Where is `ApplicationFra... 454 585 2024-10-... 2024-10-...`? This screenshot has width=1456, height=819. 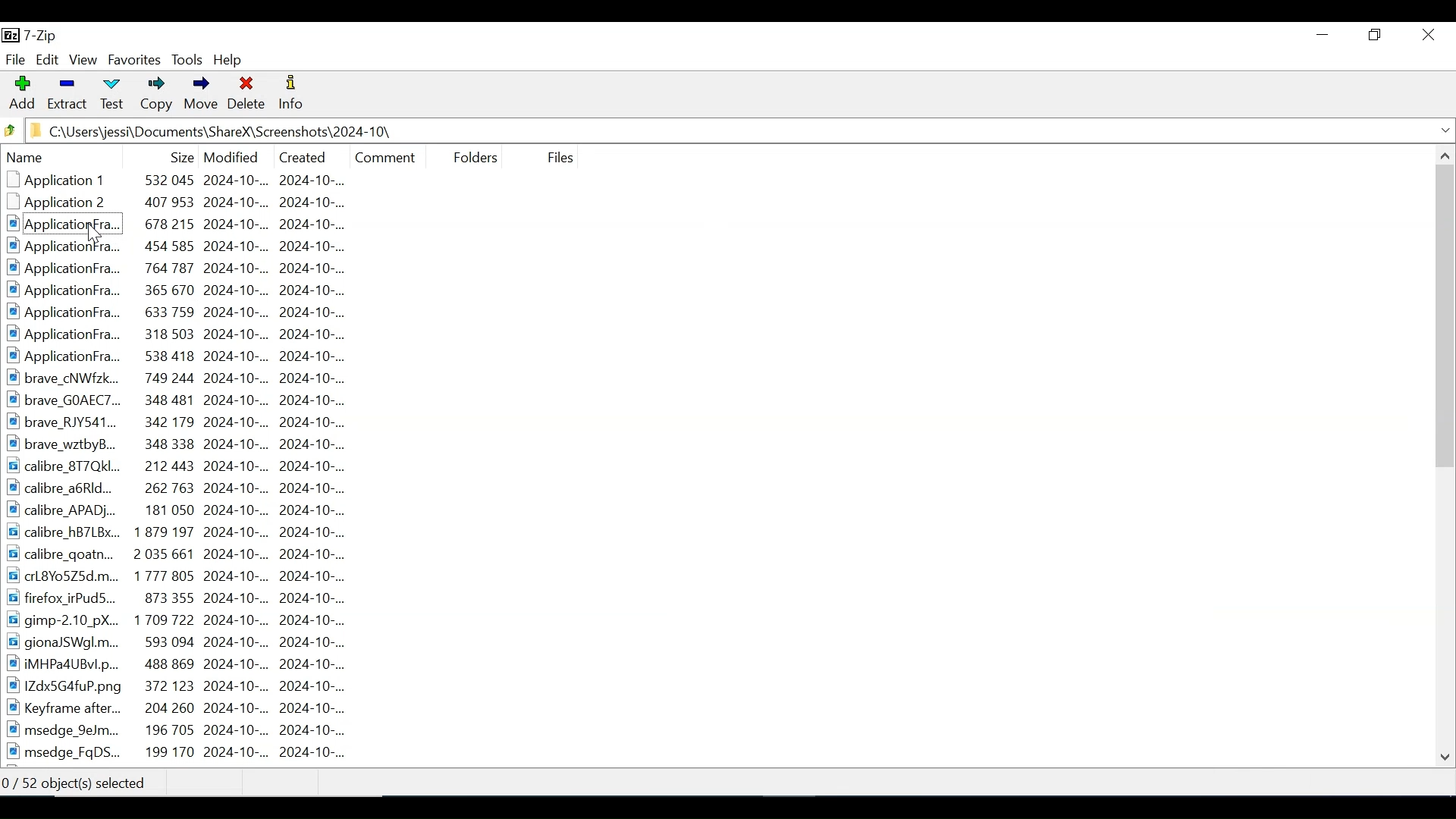 ApplicationFra... 454 585 2024-10-... 2024-10-... is located at coordinates (189, 247).